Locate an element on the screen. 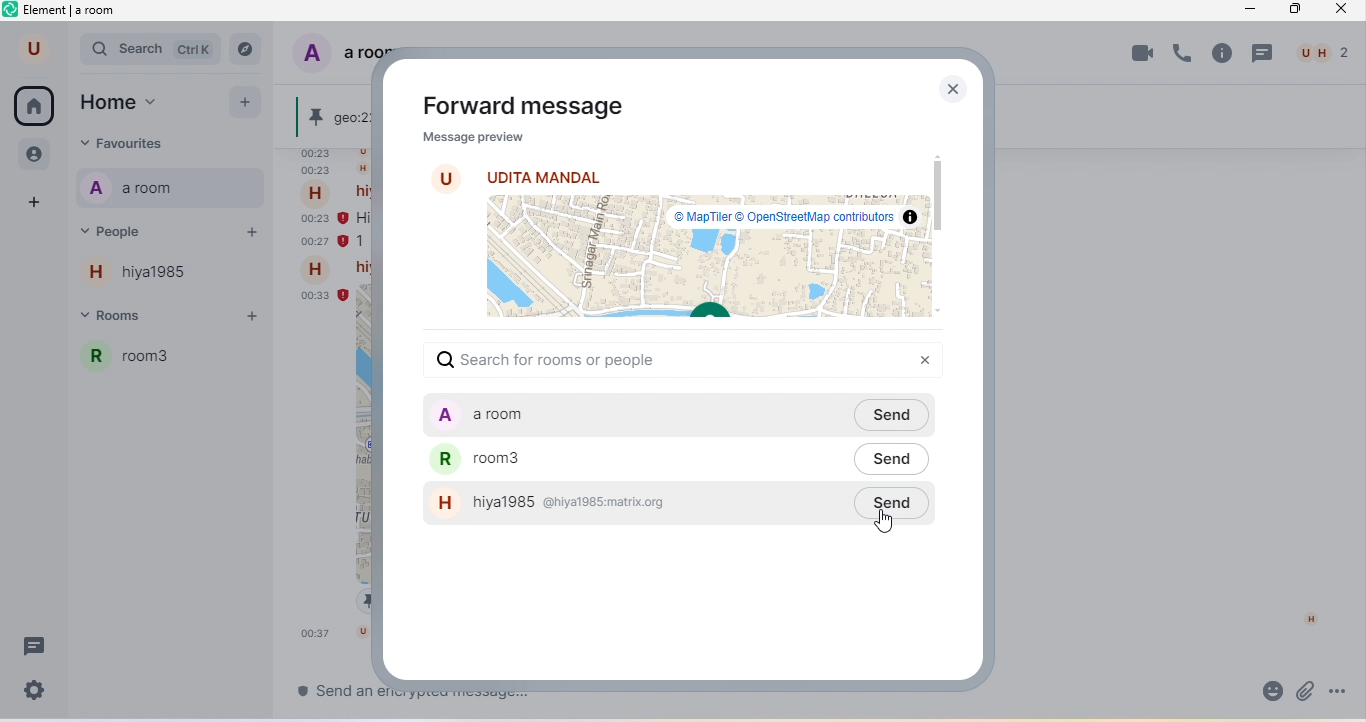 The width and height of the screenshot is (1366, 722). search is located at coordinates (152, 51).